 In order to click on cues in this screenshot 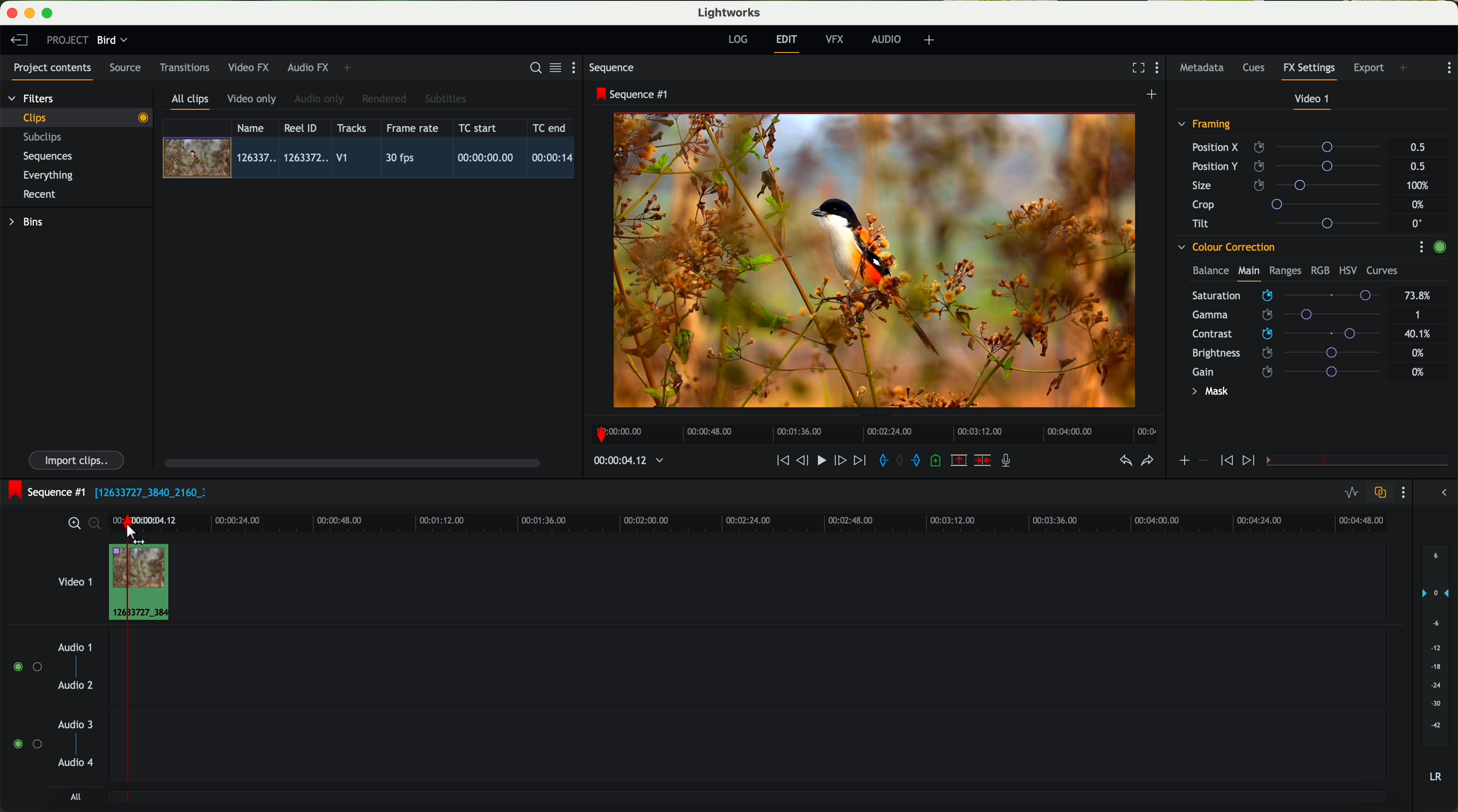, I will do `click(1257, 68)`.